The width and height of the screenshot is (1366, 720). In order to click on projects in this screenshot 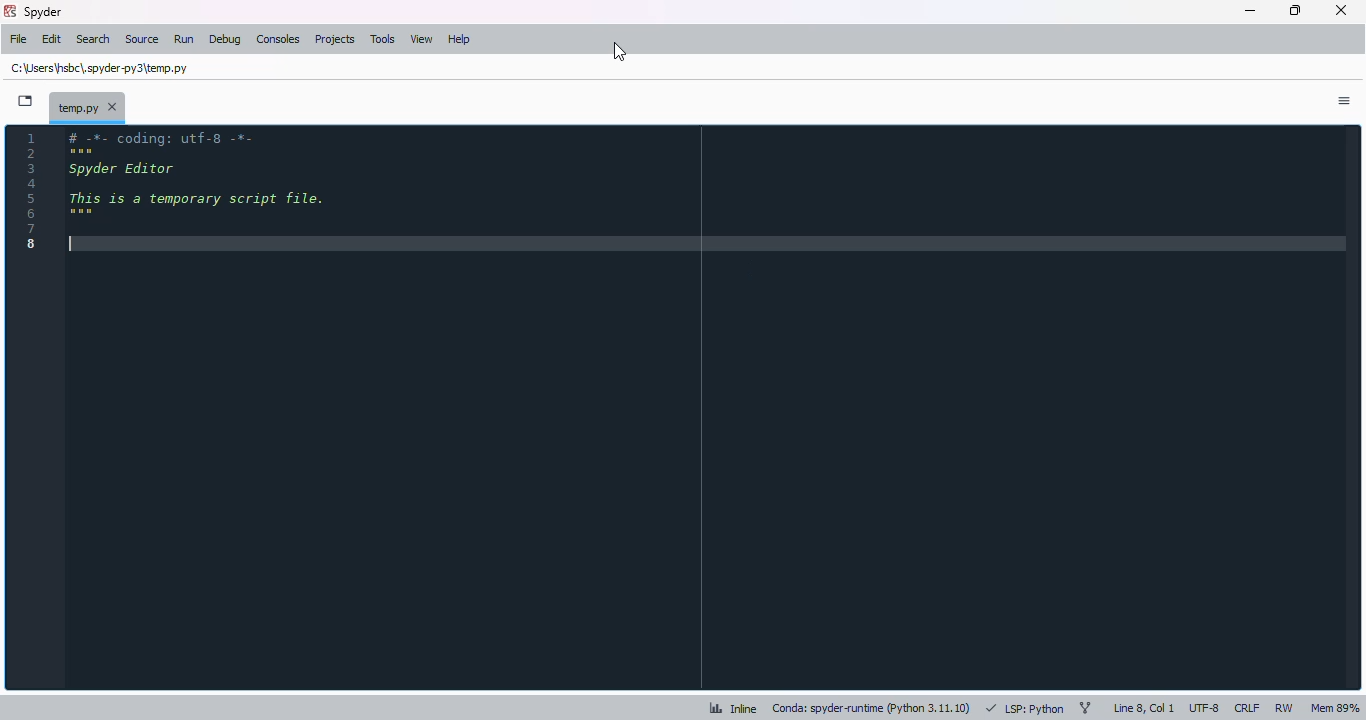, I will do `click(335, 39)`.